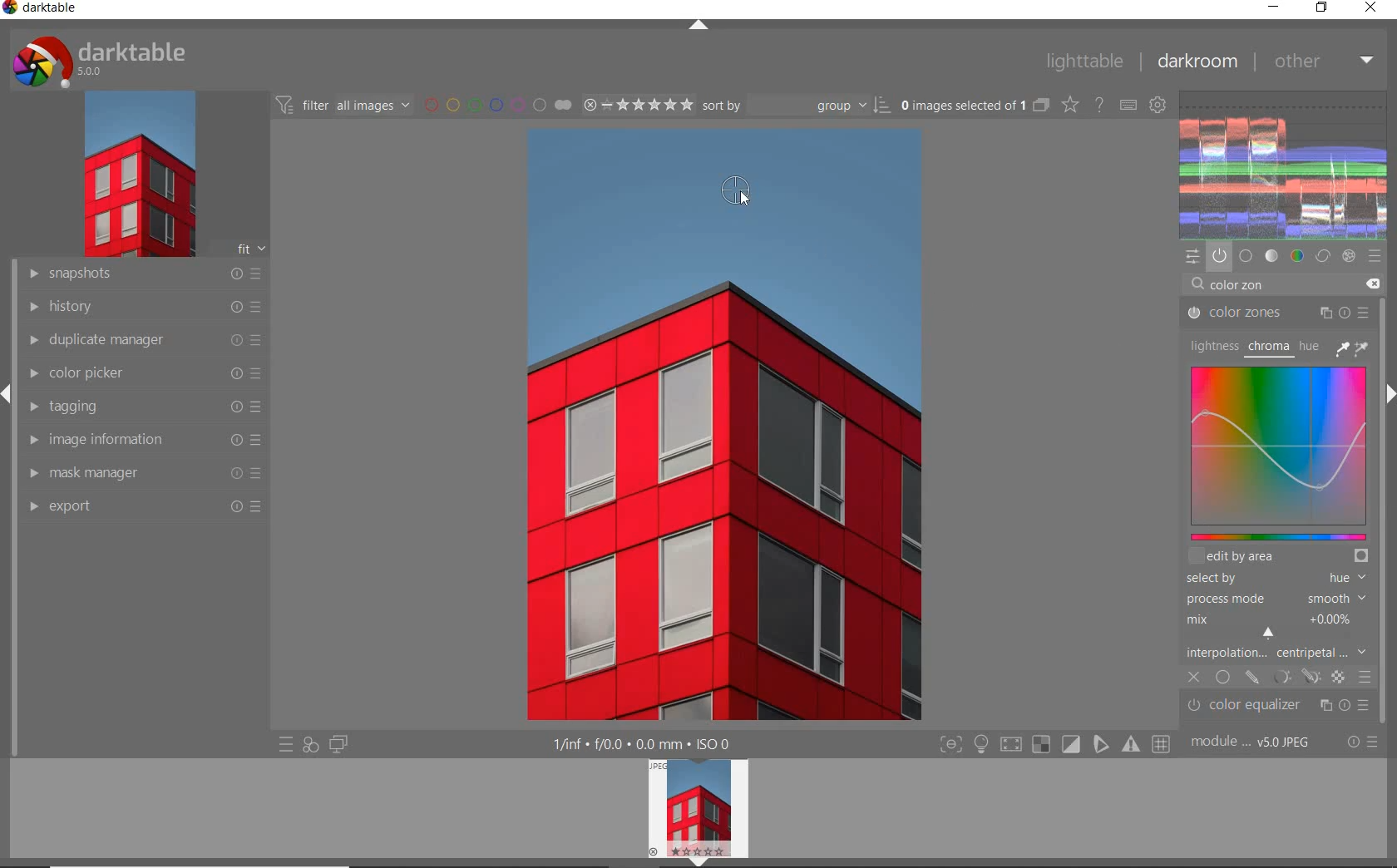  Describe the element at coordinates (1193, 257) in the screenshot. I see `quick access panel` at that location.